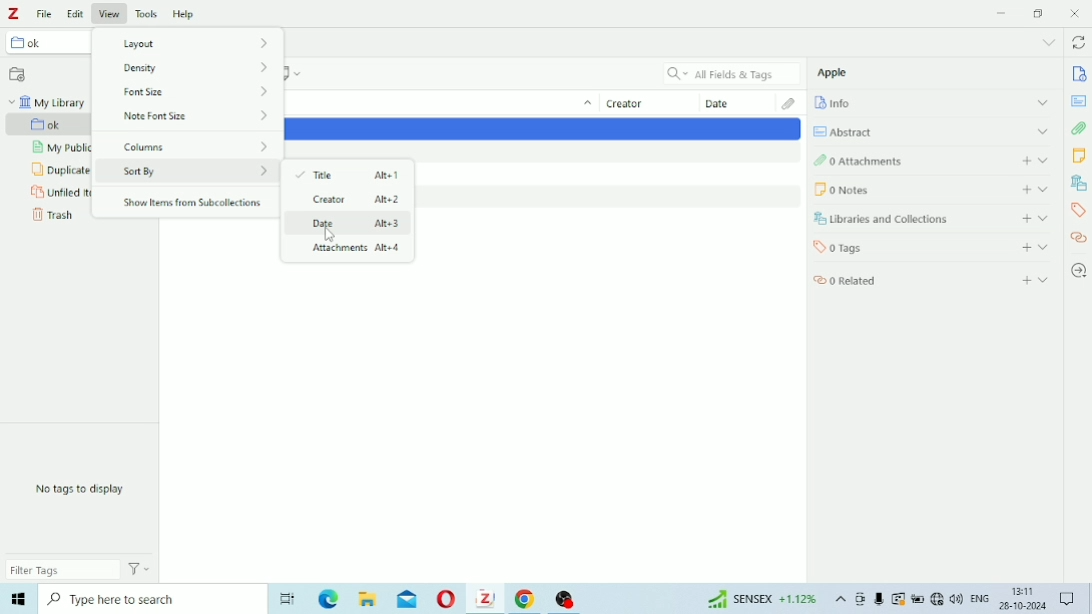 This screenshot has height=614, width=1092. I want to click on Creator Alt + 2, so click(348, 200).